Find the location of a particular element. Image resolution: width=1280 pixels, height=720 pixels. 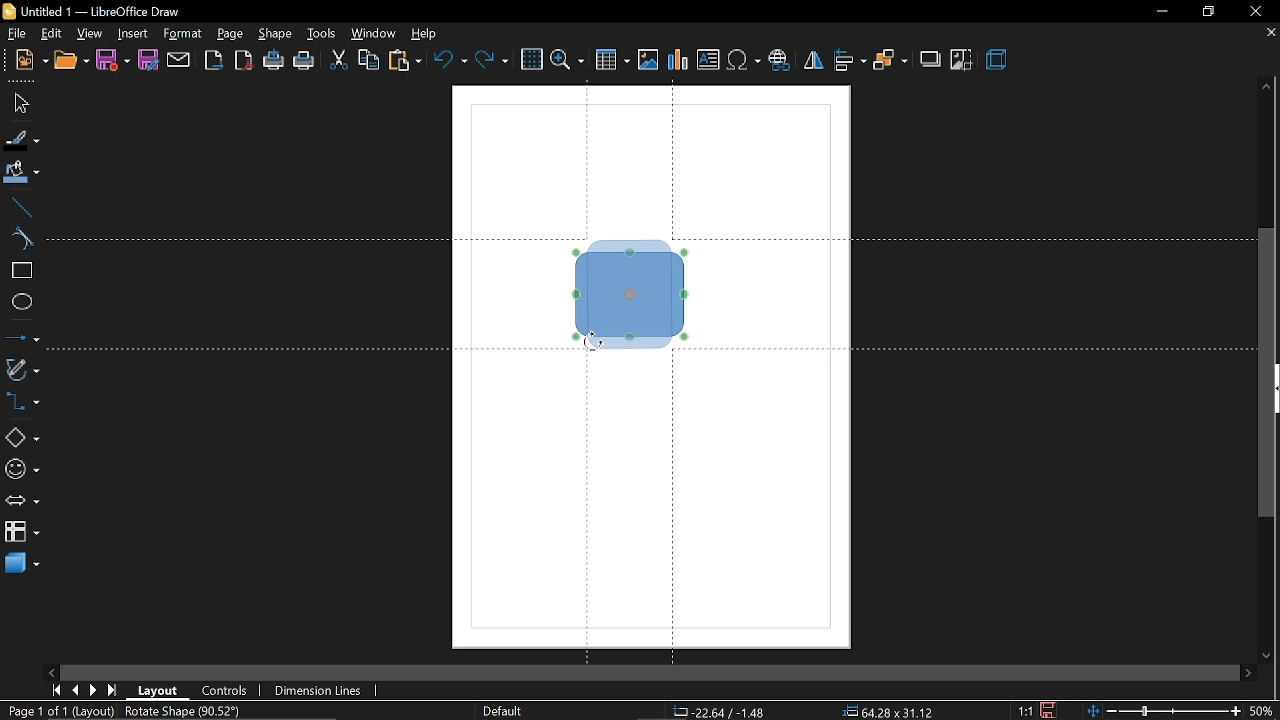

open is located at coordinates (72, 61).